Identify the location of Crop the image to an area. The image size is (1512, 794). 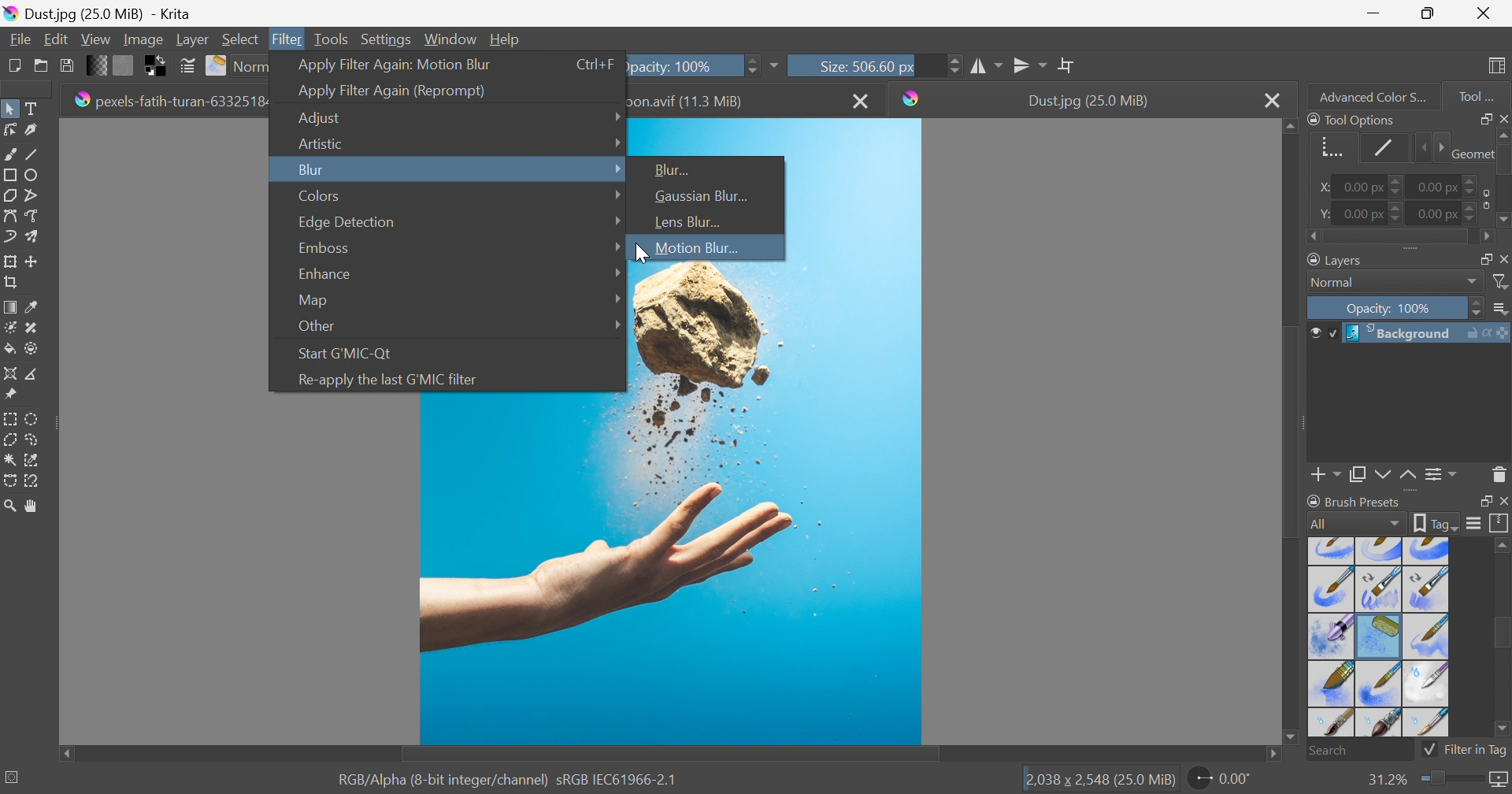
(13, 284).